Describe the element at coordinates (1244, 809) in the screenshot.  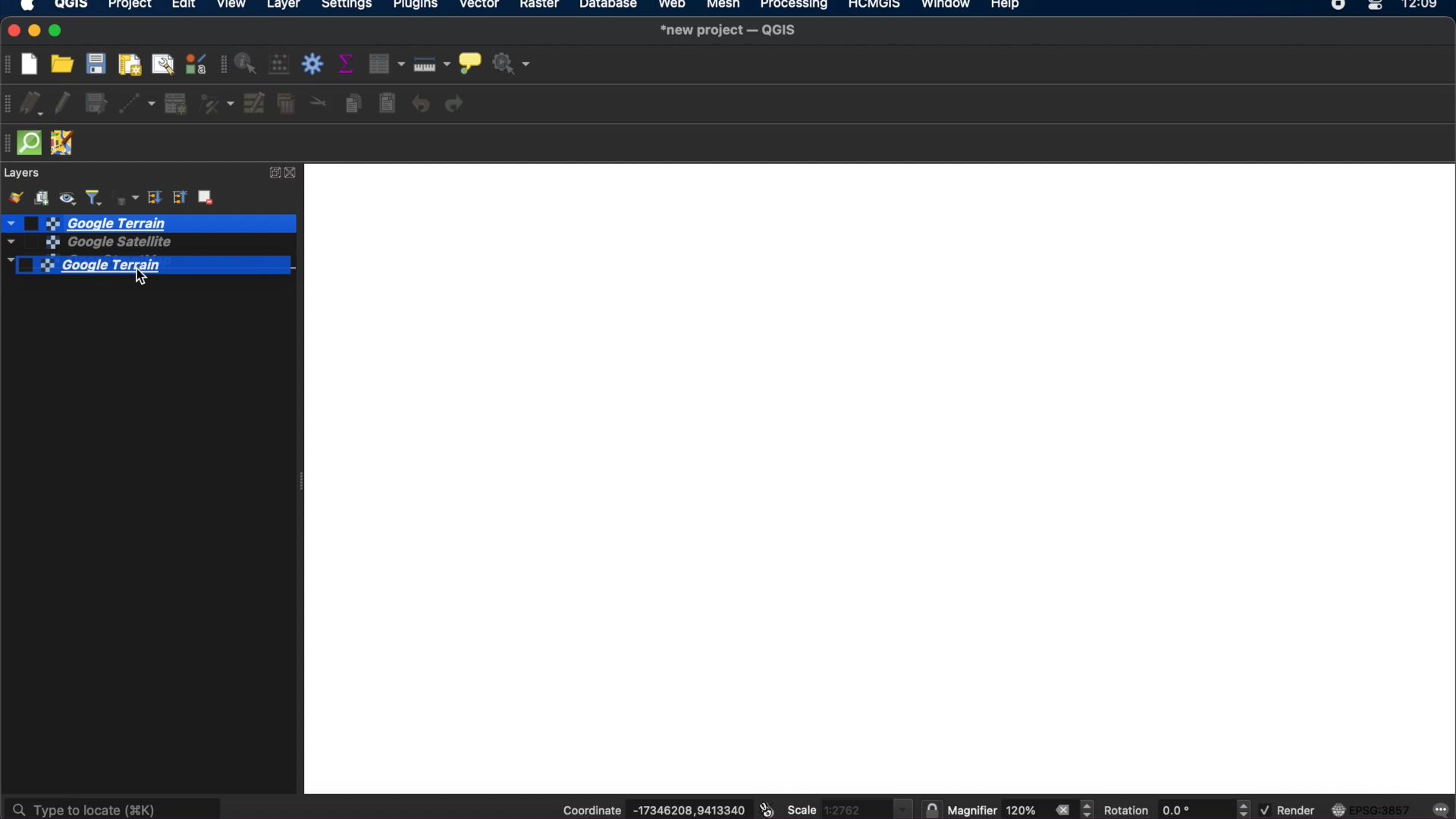
I see `rotation` at that location.